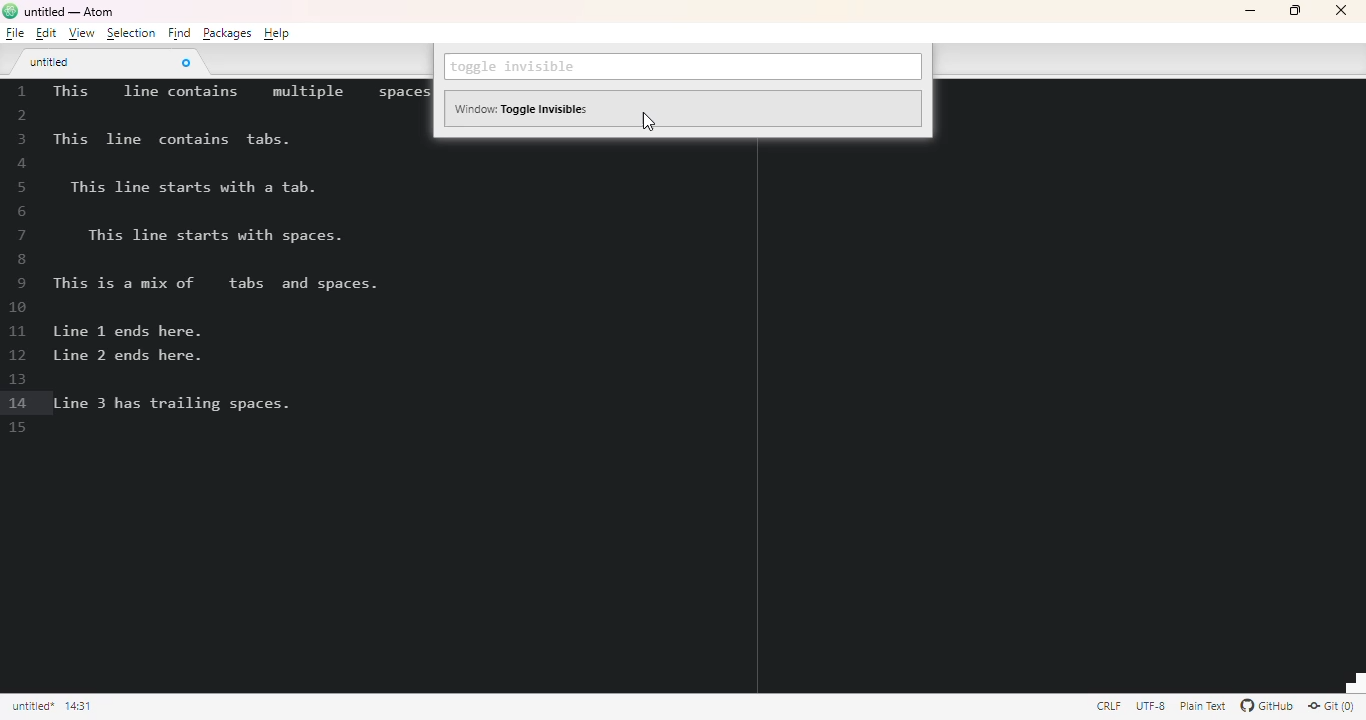 Image resolution: width=1366 pixels, height=720 pixels. I want to click on untitled tab, so click(51, 61).